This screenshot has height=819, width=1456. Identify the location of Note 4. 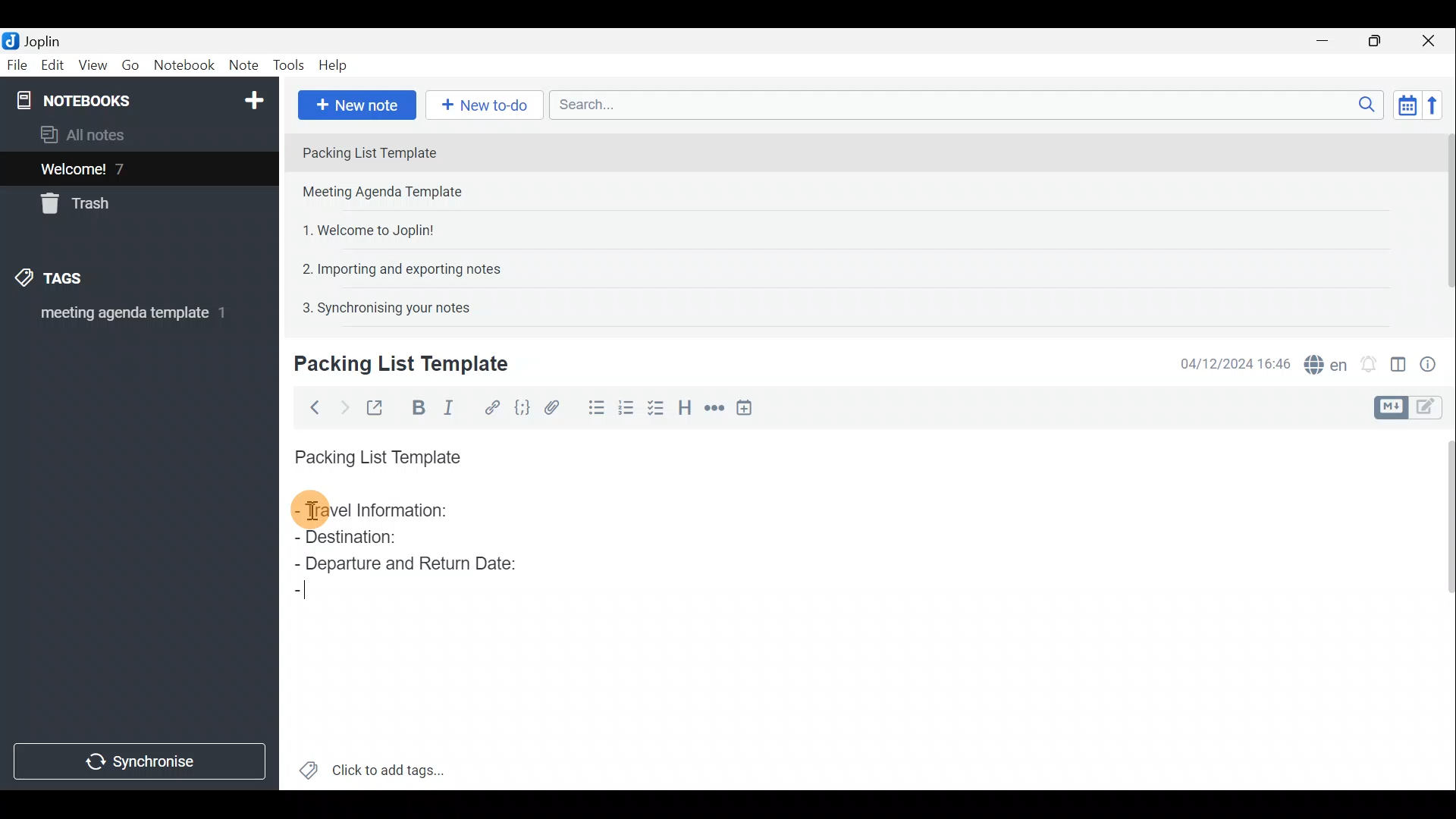
(394, 266).